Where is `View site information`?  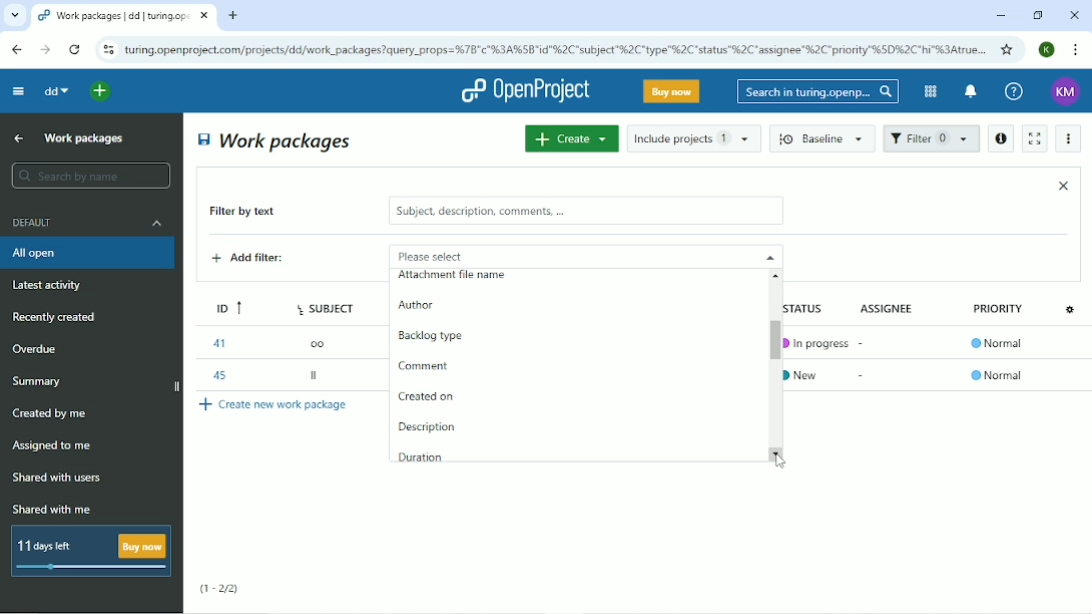 View site information is located at coordinates (108, 50).